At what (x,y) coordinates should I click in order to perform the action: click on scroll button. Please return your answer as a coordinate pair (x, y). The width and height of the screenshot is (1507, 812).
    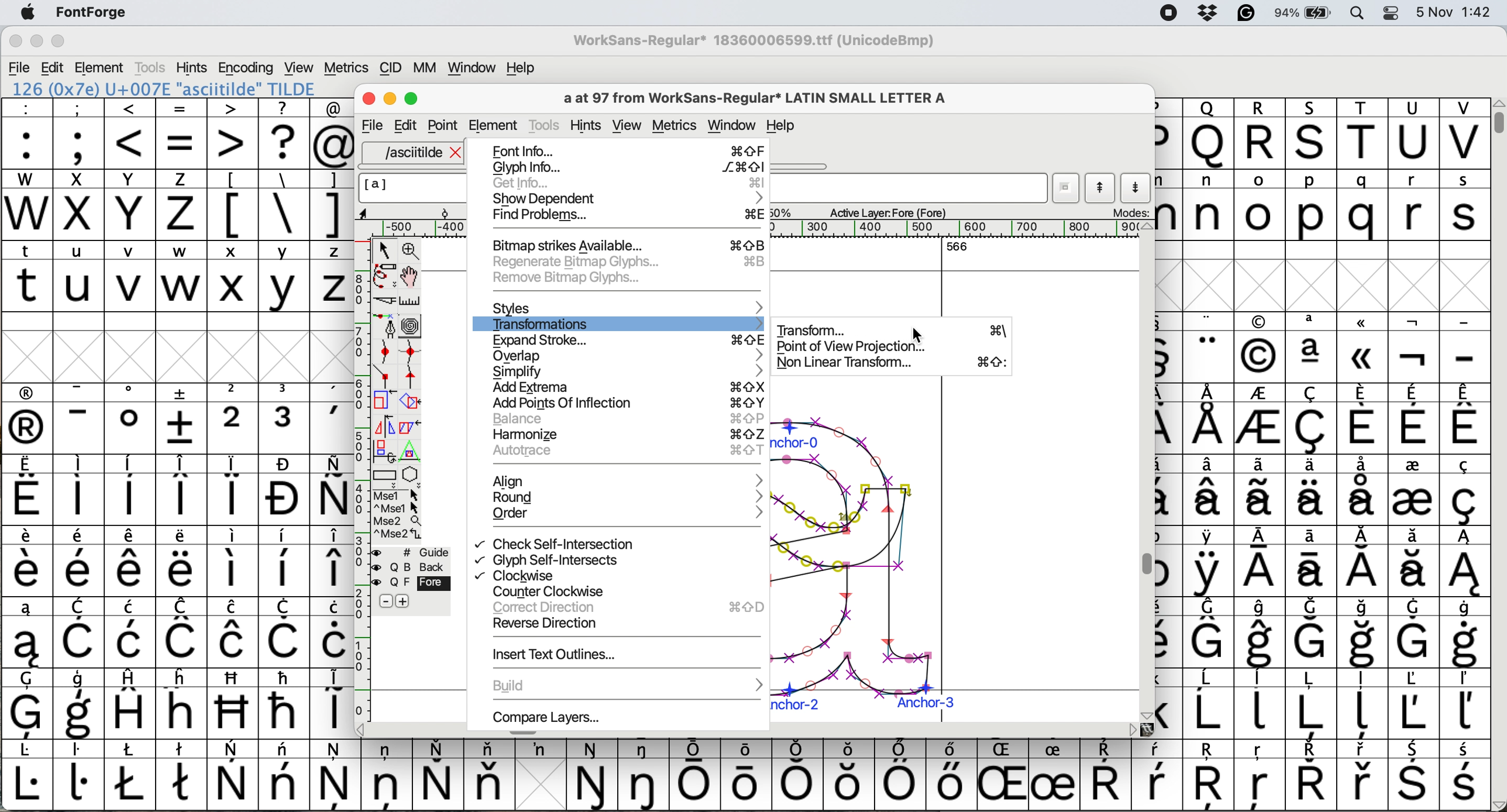
    Looking at the image, I should click on (1497, 804).